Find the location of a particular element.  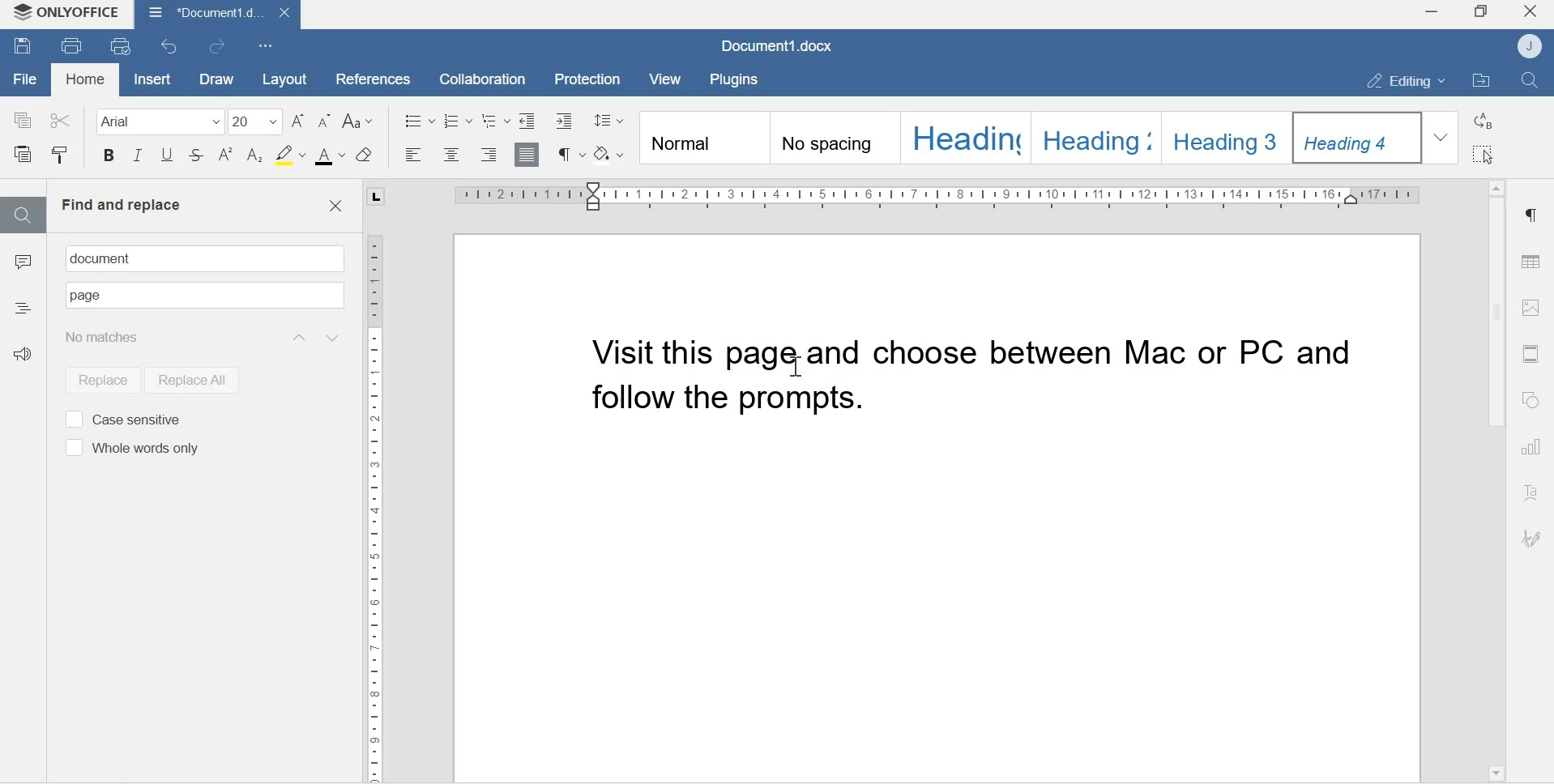

Underline is located at coordinates (166, 159).